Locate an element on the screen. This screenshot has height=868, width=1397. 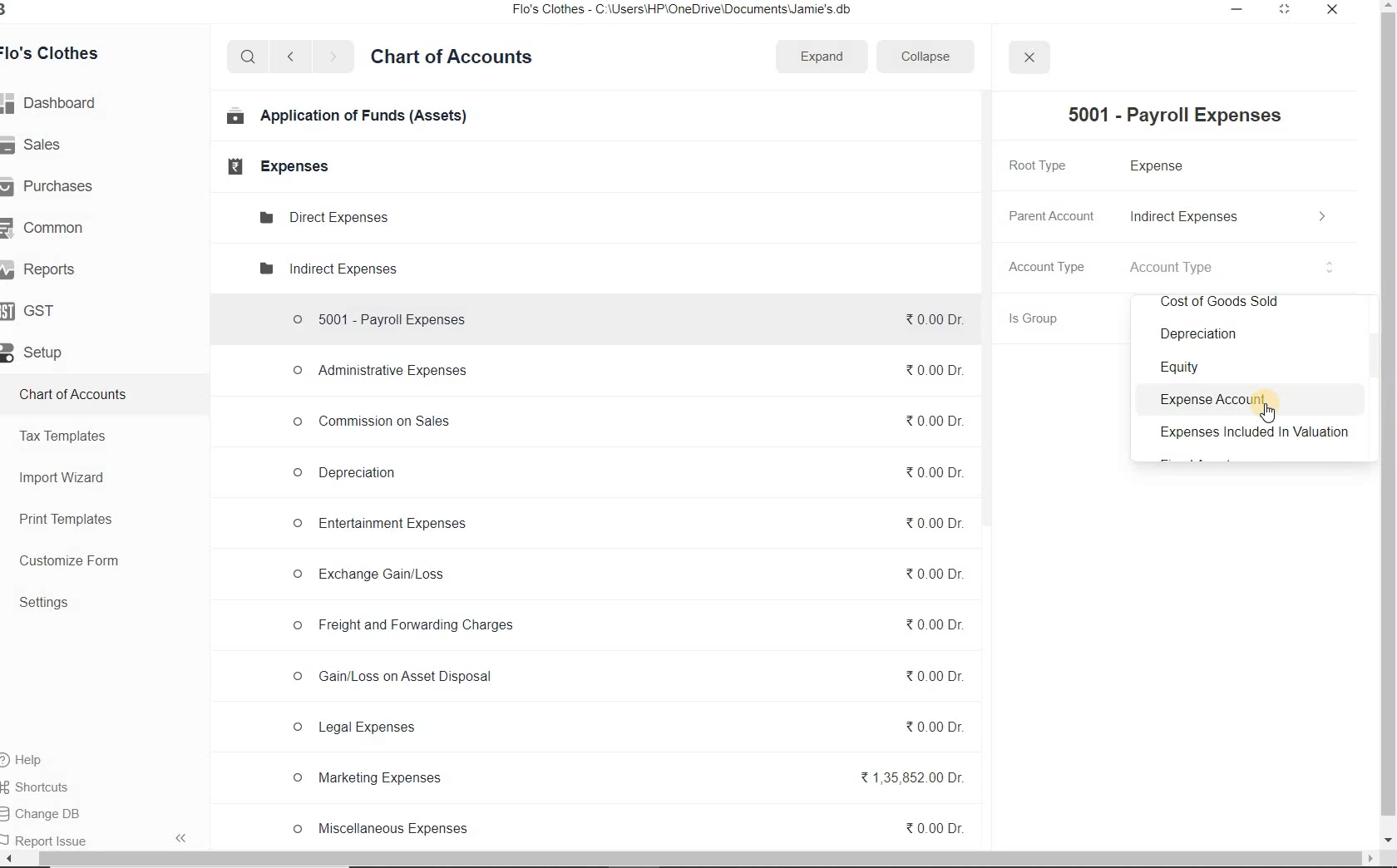
Expand is located at coordinates (823, 57).